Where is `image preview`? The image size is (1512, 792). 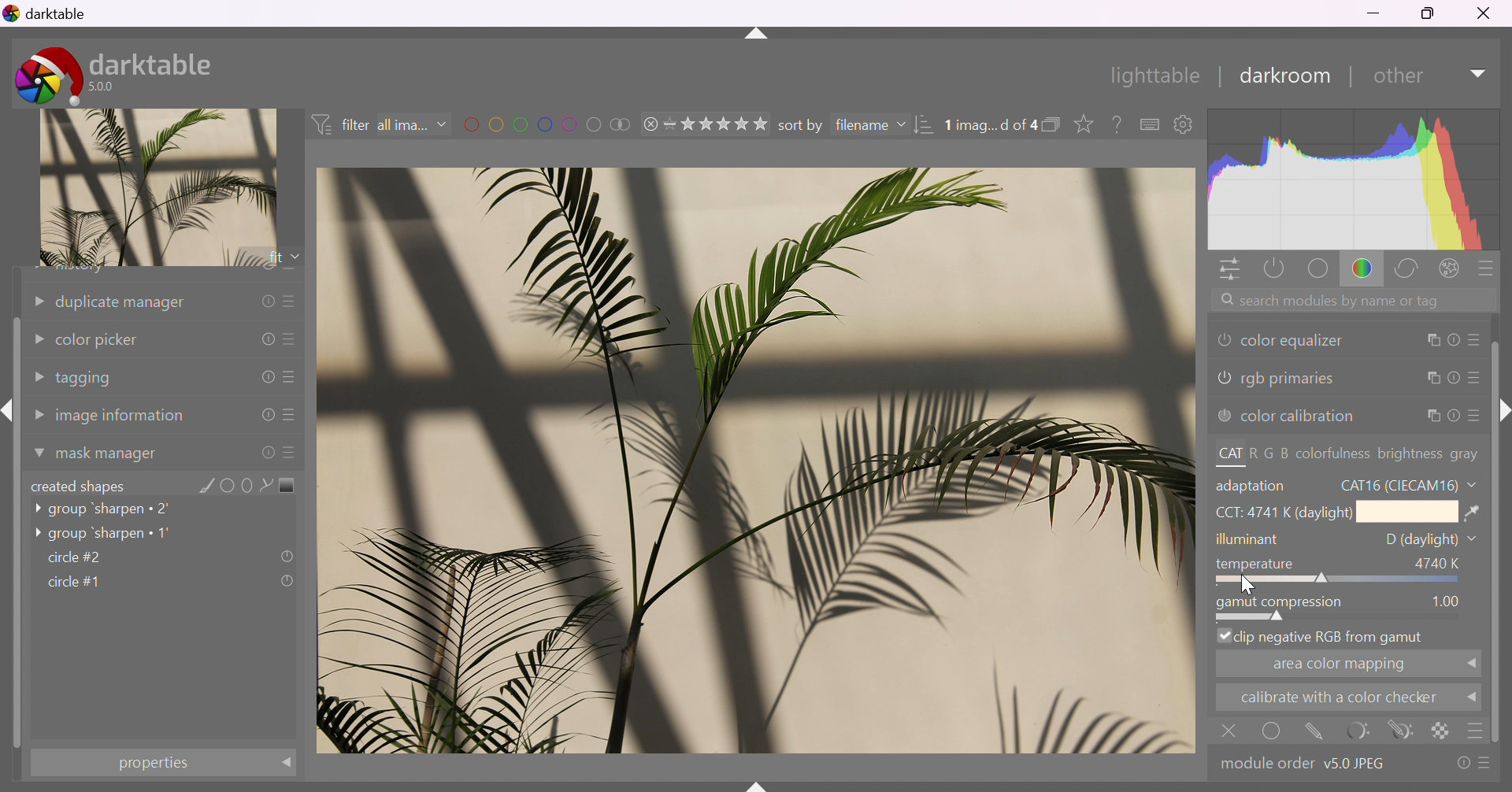 image preview is located at coordinates (160, 189).